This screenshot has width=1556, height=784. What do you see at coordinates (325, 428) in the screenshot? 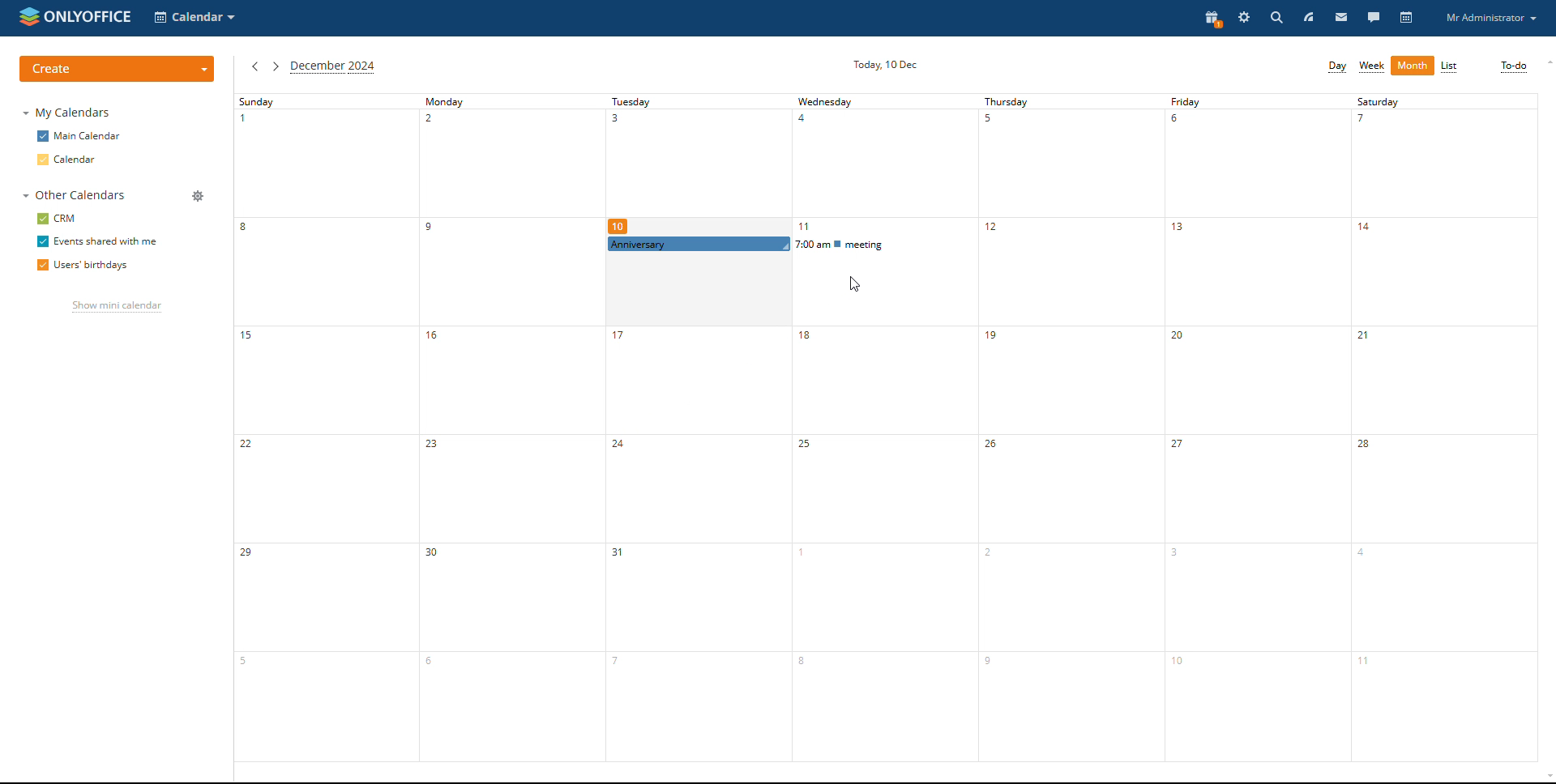
I see `sunday` at bounding box center [325, 428].